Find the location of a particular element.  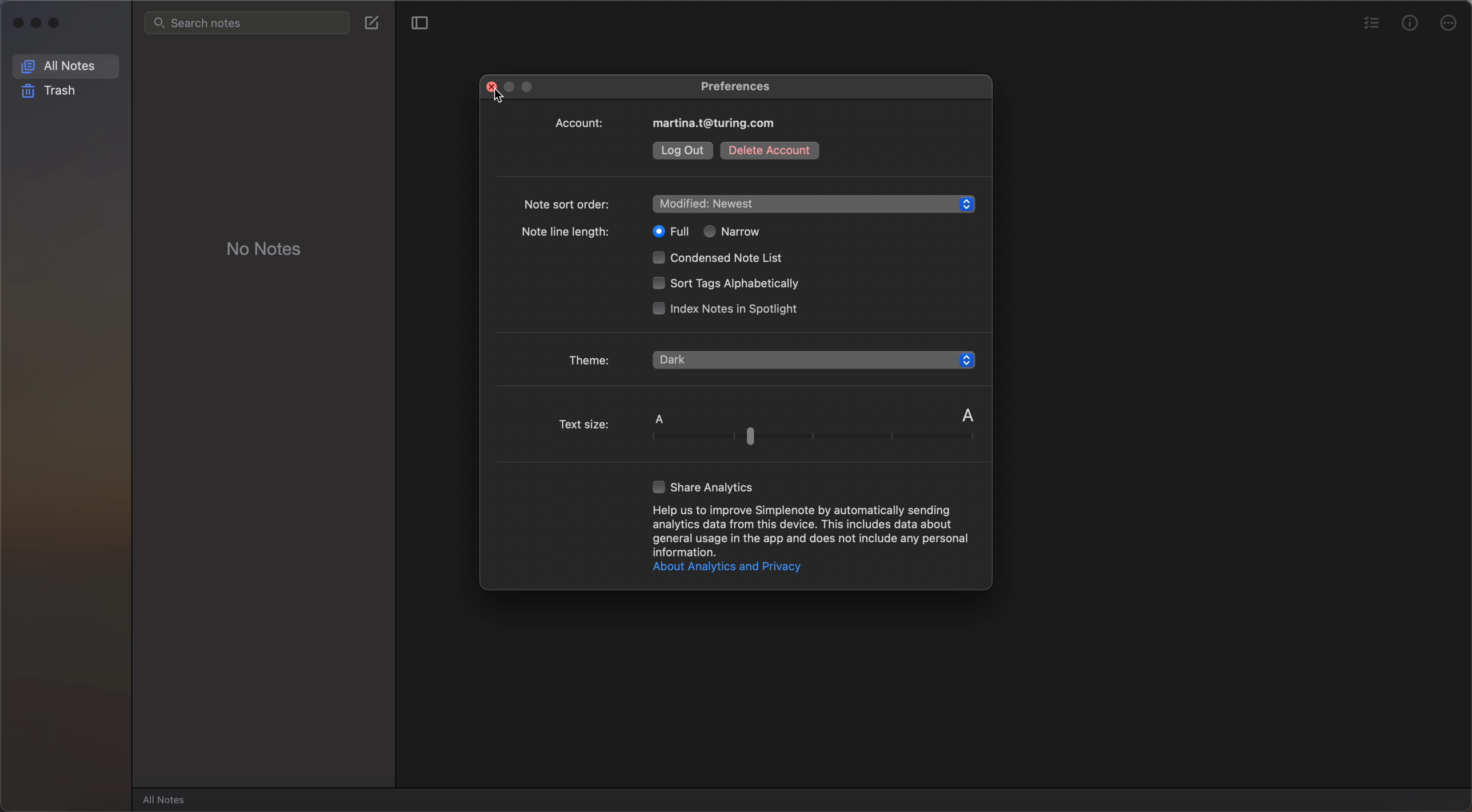

all notes is located at coordinates (167, 799).